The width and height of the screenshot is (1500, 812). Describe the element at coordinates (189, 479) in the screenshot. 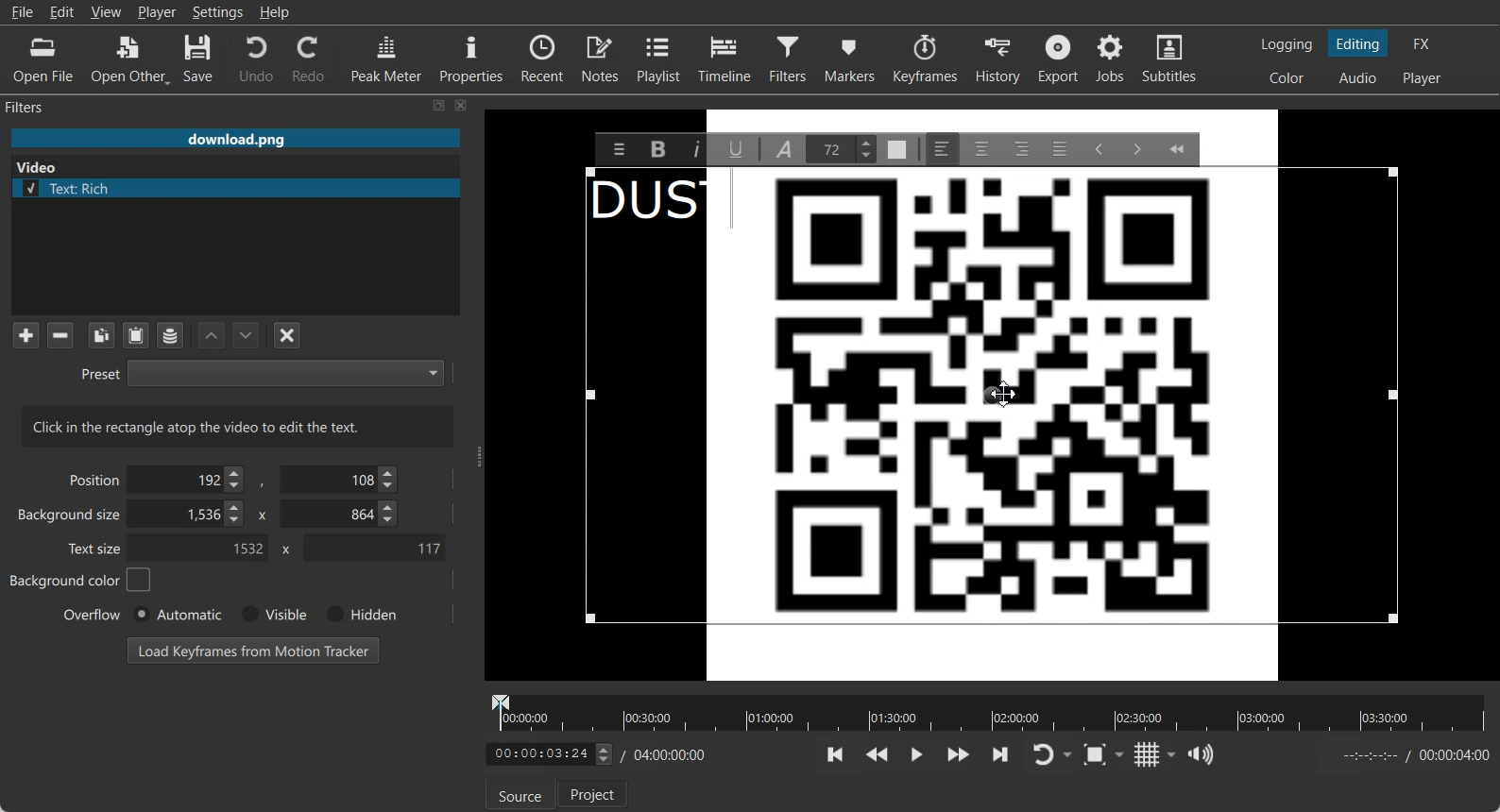

I see `Position Adjuster X- Coordinate` at that location.